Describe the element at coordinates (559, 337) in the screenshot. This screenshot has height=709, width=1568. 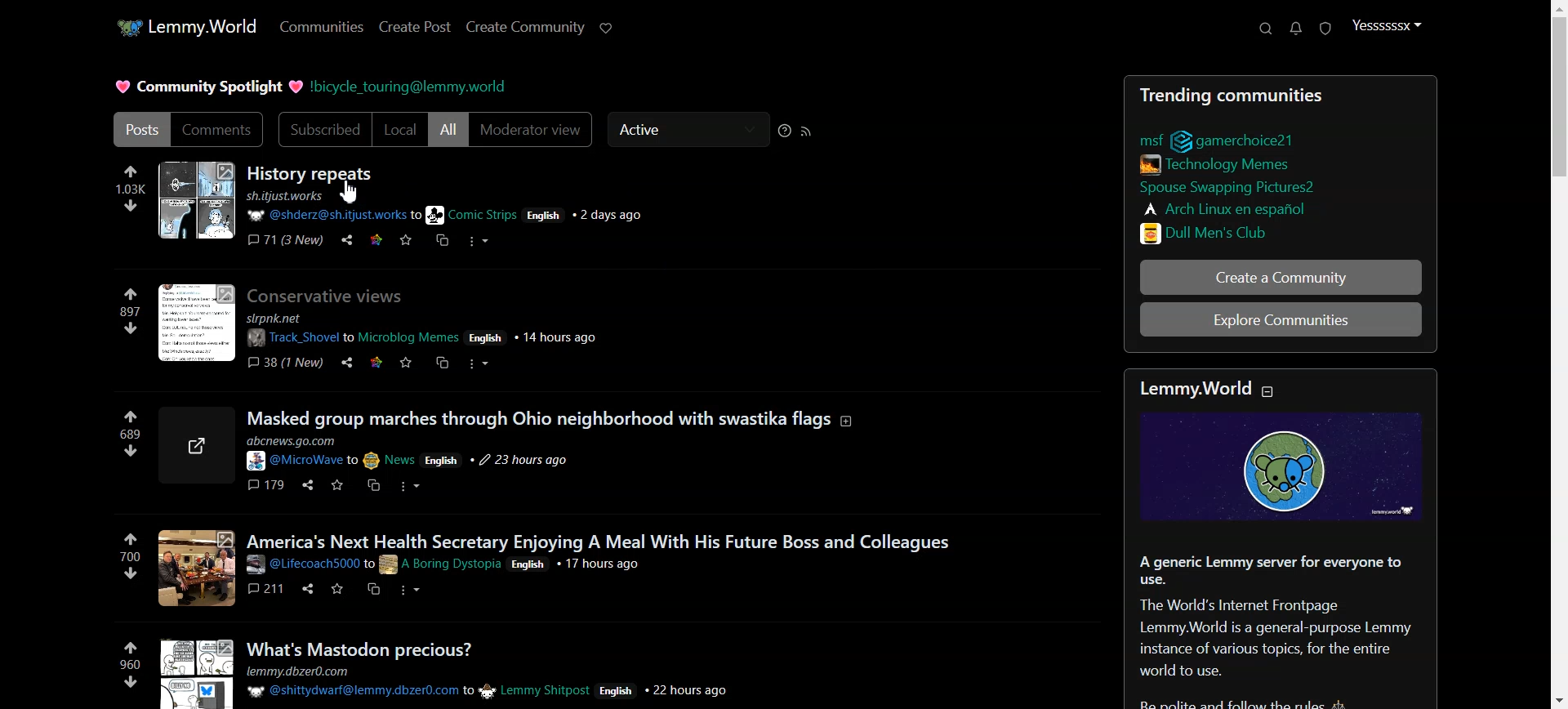
I see `14 hours ago` at that location.